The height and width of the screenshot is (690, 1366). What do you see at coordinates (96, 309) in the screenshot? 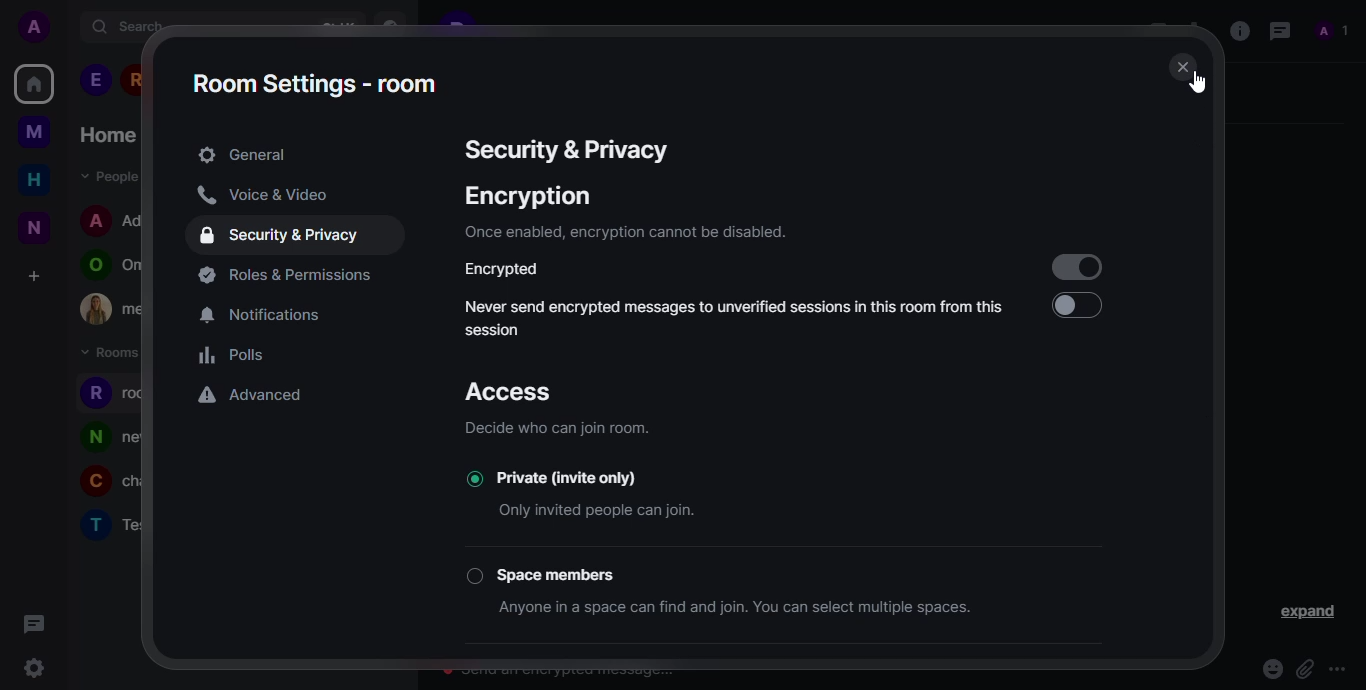
I see `profile image` at bounding box center [96, 309].